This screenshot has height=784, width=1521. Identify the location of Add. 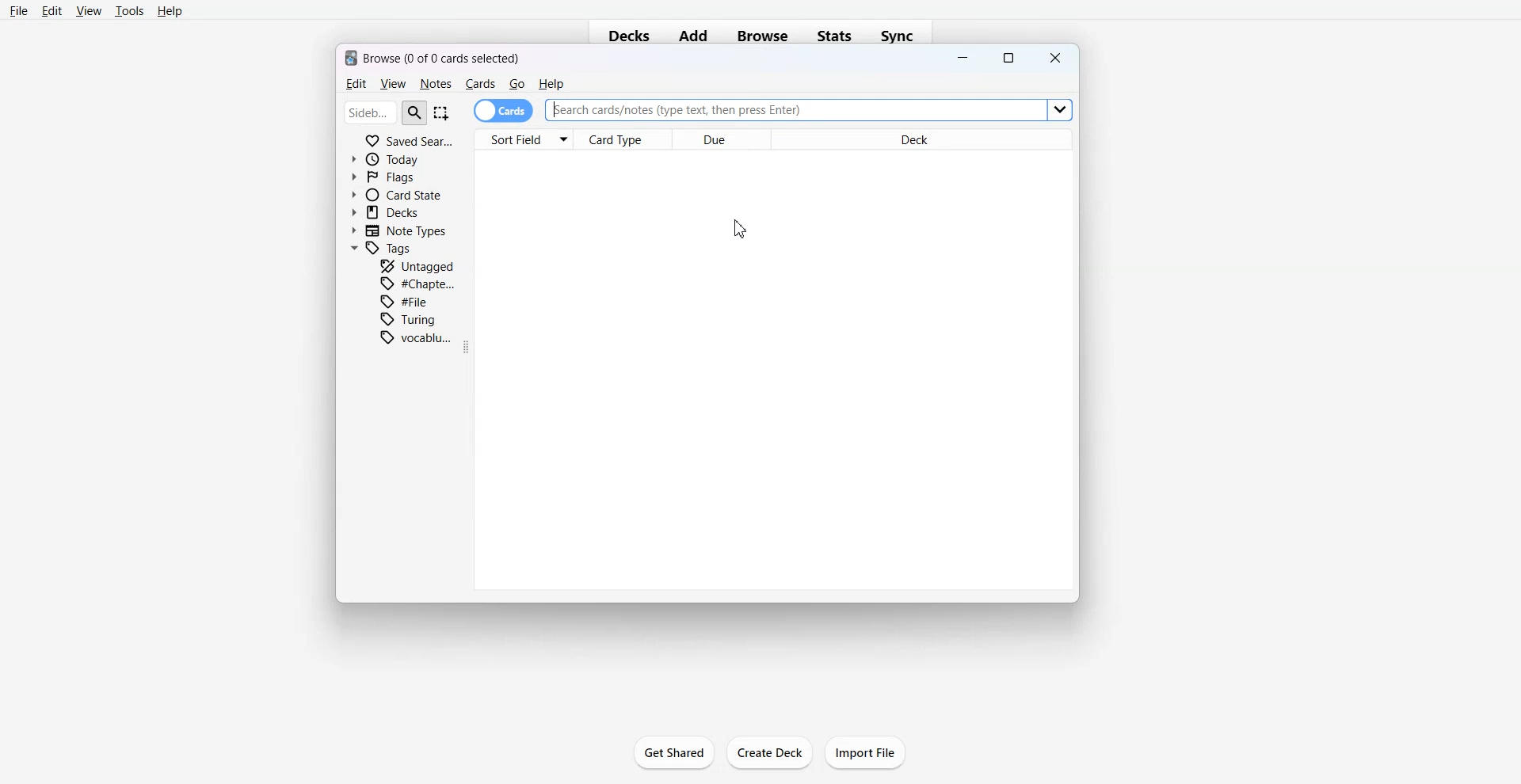
(693, 36).